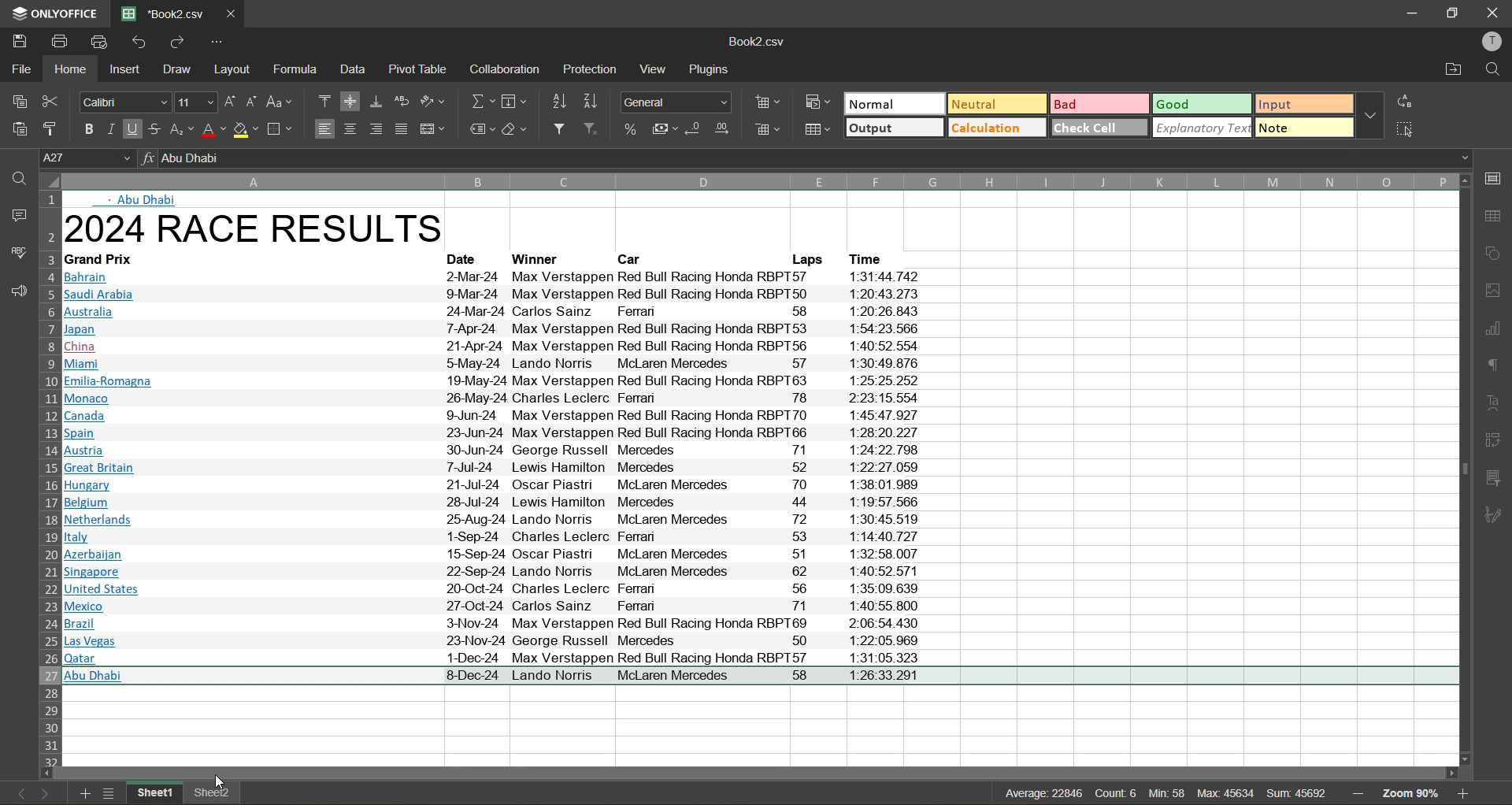 This screenshot has width=1512, height=805. What do you see at coordinates (1461, 466) in the screenshot?
I see `vertical scrollbar` at bounding box center [1461, 466].